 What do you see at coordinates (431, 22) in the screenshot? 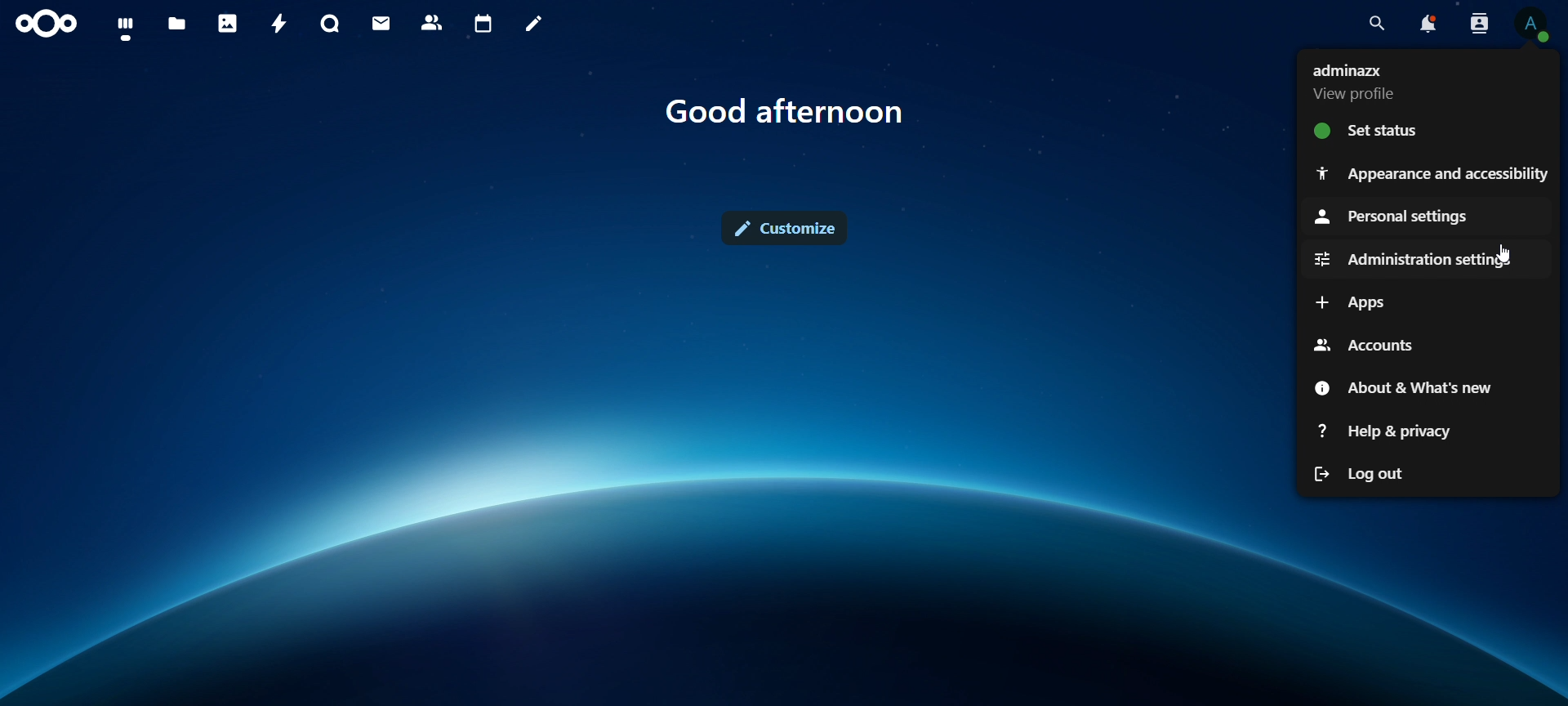
I see `contacts` at bounding box center [431, 22].